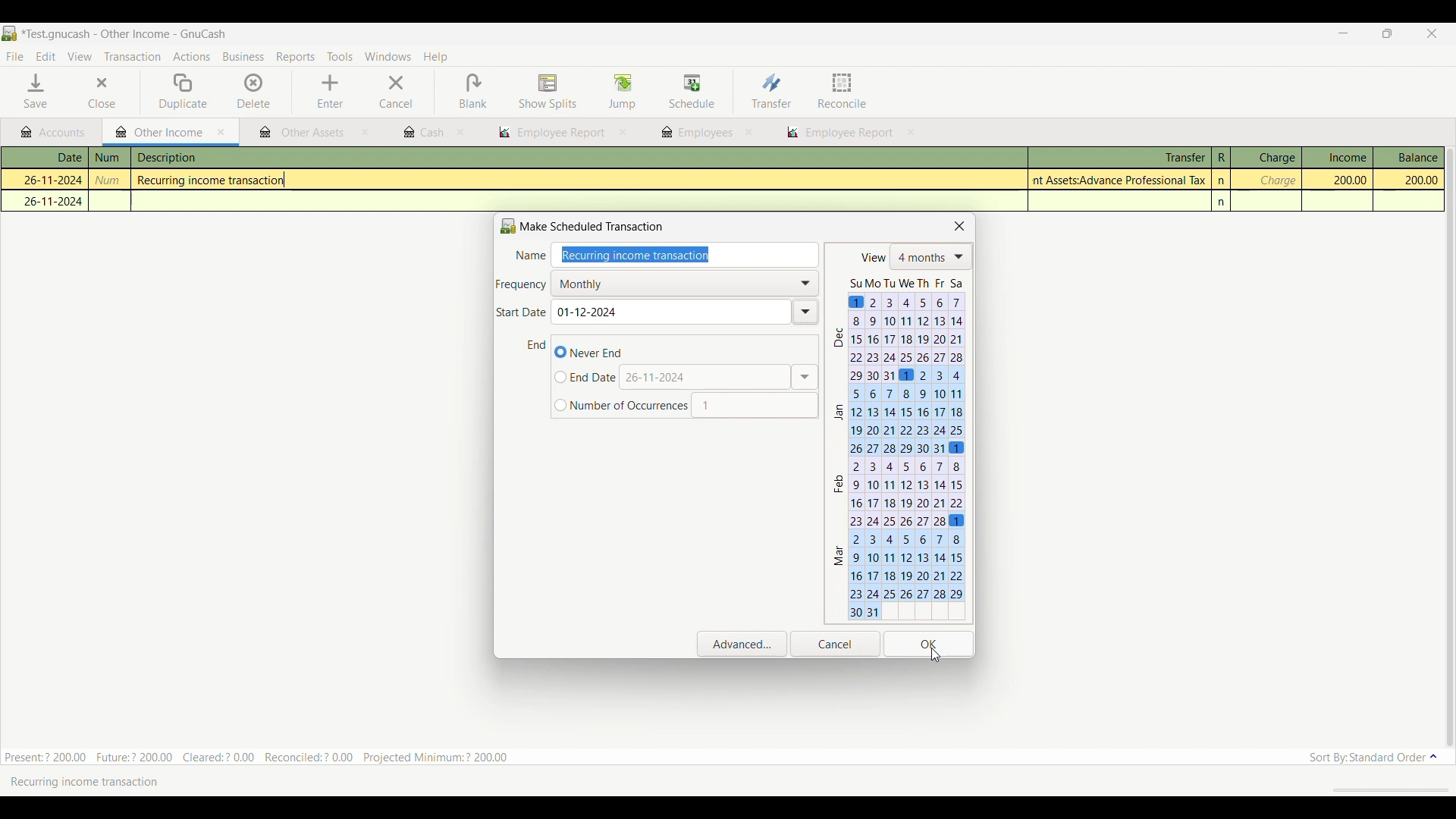 Image resolution: width=1456 pixels, height=819 pixels. Describe the element at coordinates (929, 645) in the screenshot. I see `Save inputs` at that location.